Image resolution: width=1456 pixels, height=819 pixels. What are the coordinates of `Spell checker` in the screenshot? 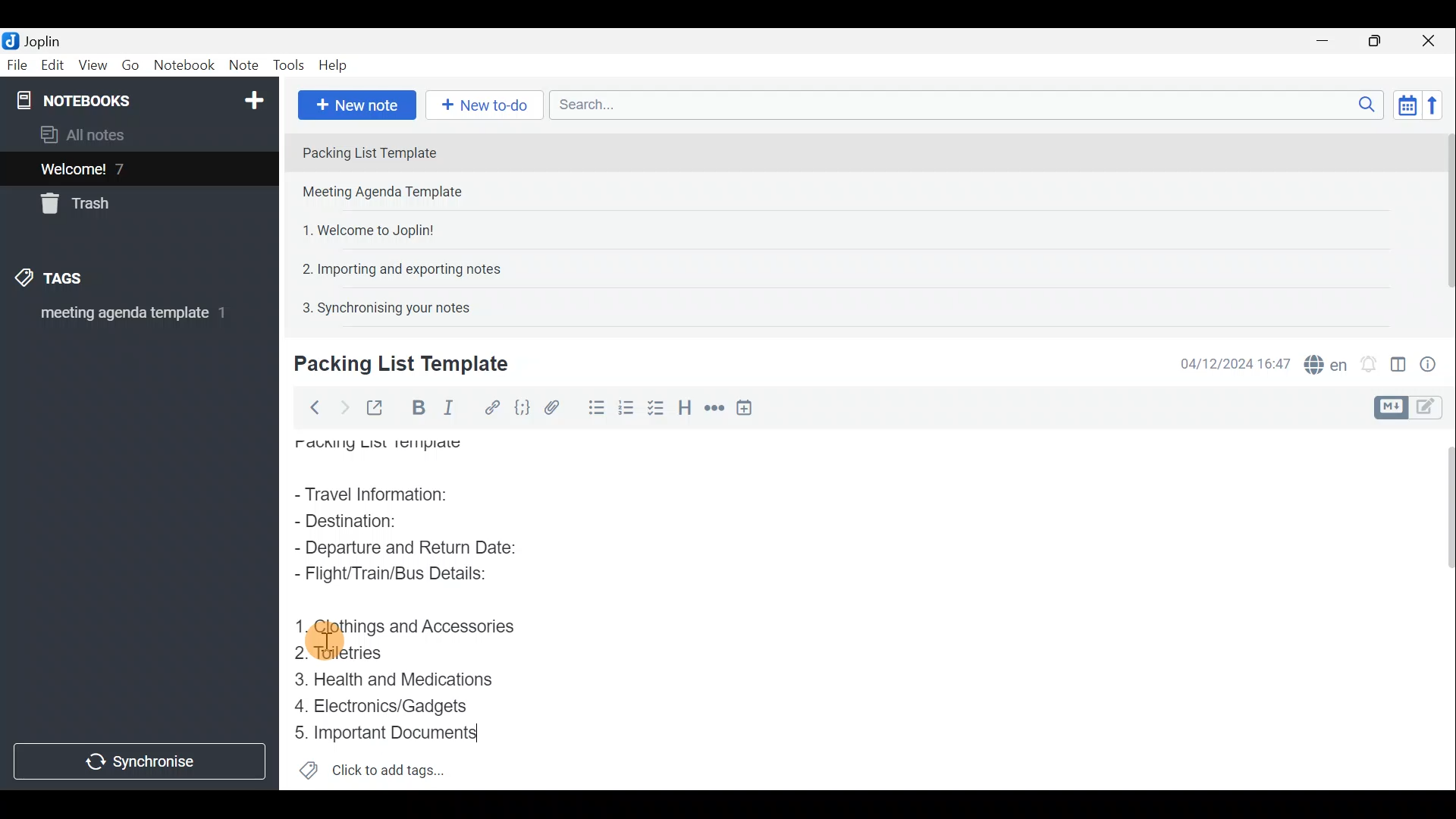 It's located at (1322, 362).